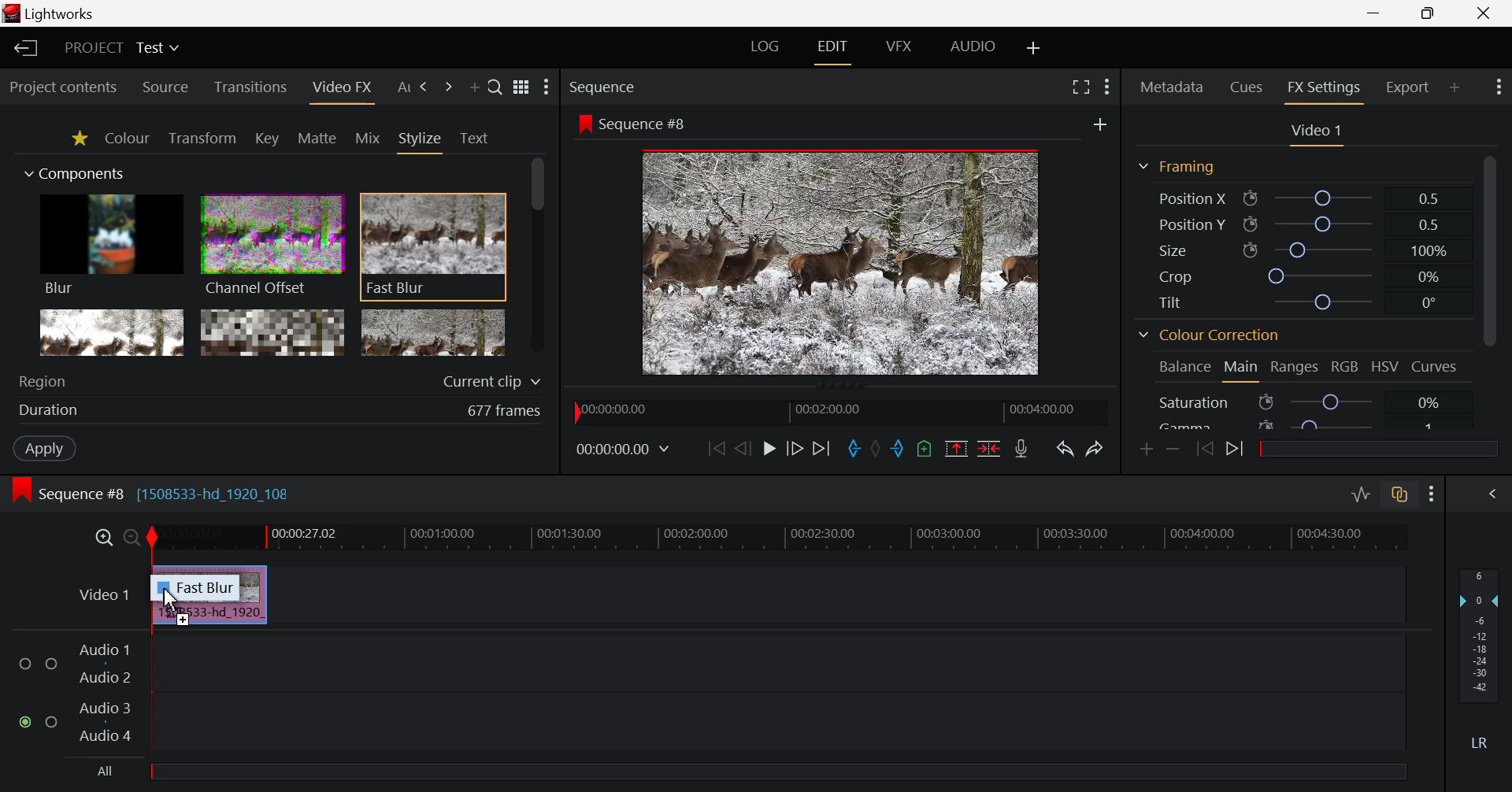 Image resolution: width=1512 pixels, height=792 pixels. I want to click on Favorites, so click(80, 139).